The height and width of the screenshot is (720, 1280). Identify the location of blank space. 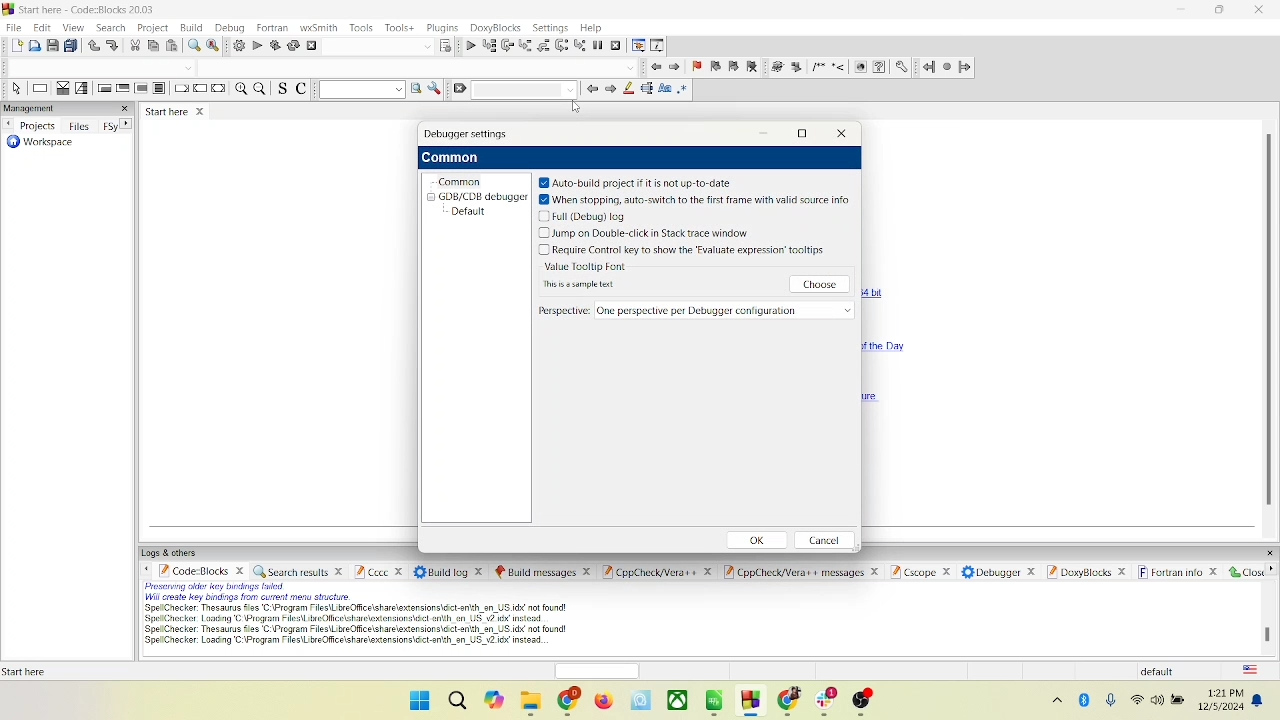
(528, 91).